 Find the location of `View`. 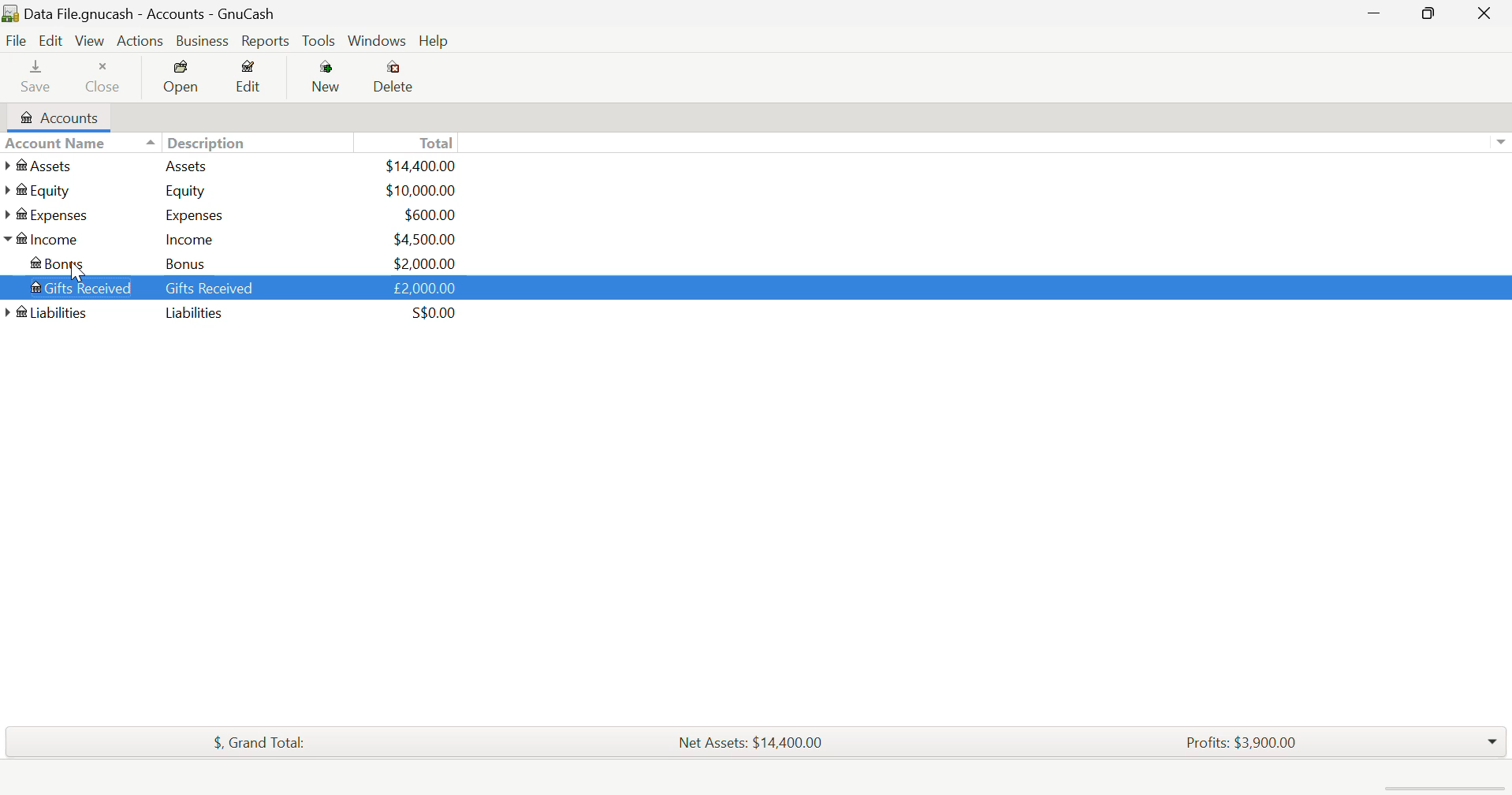

View is located at coordinates (91, 39).